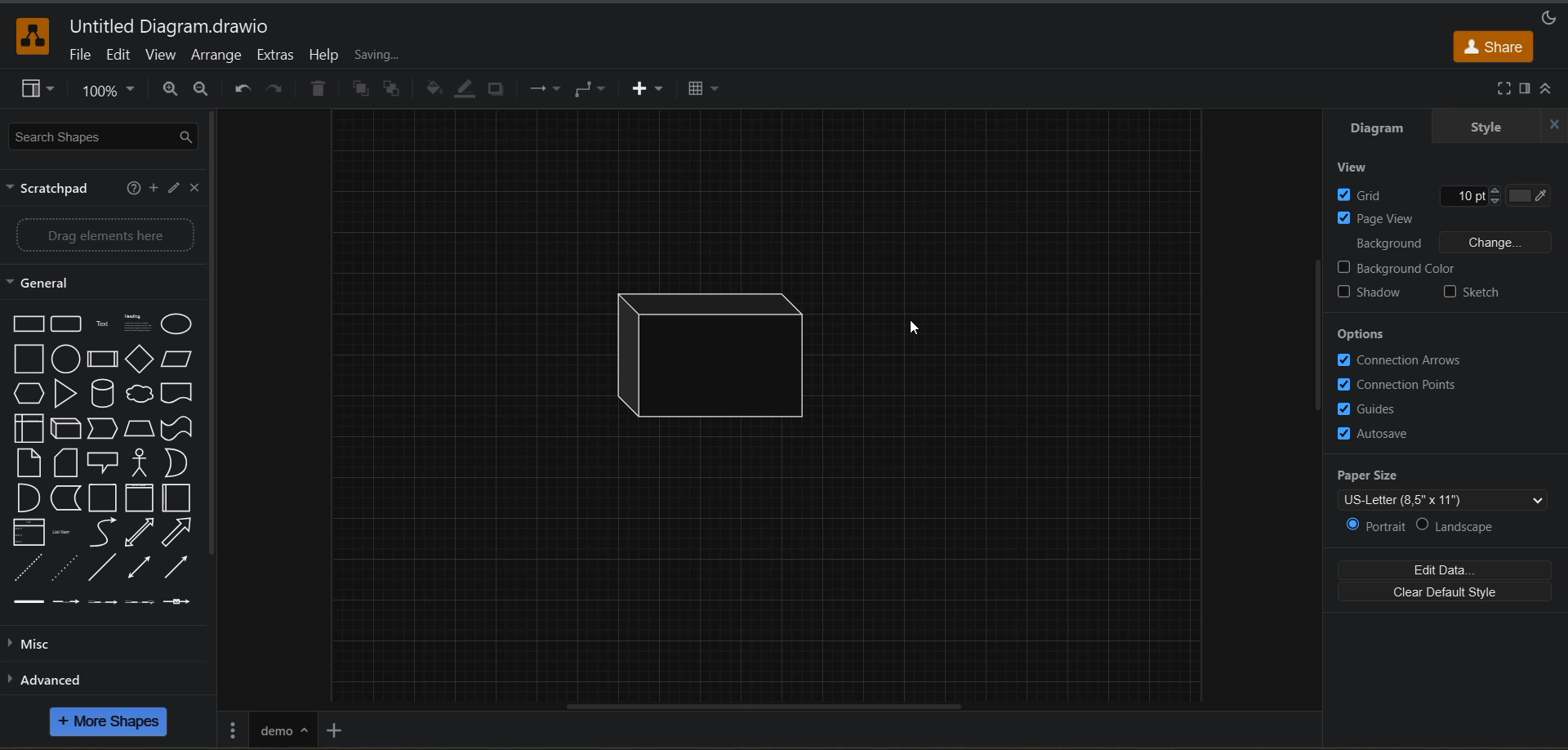 This screenshot has height=750, width=1568. I want to click on general, so click(55, 283).